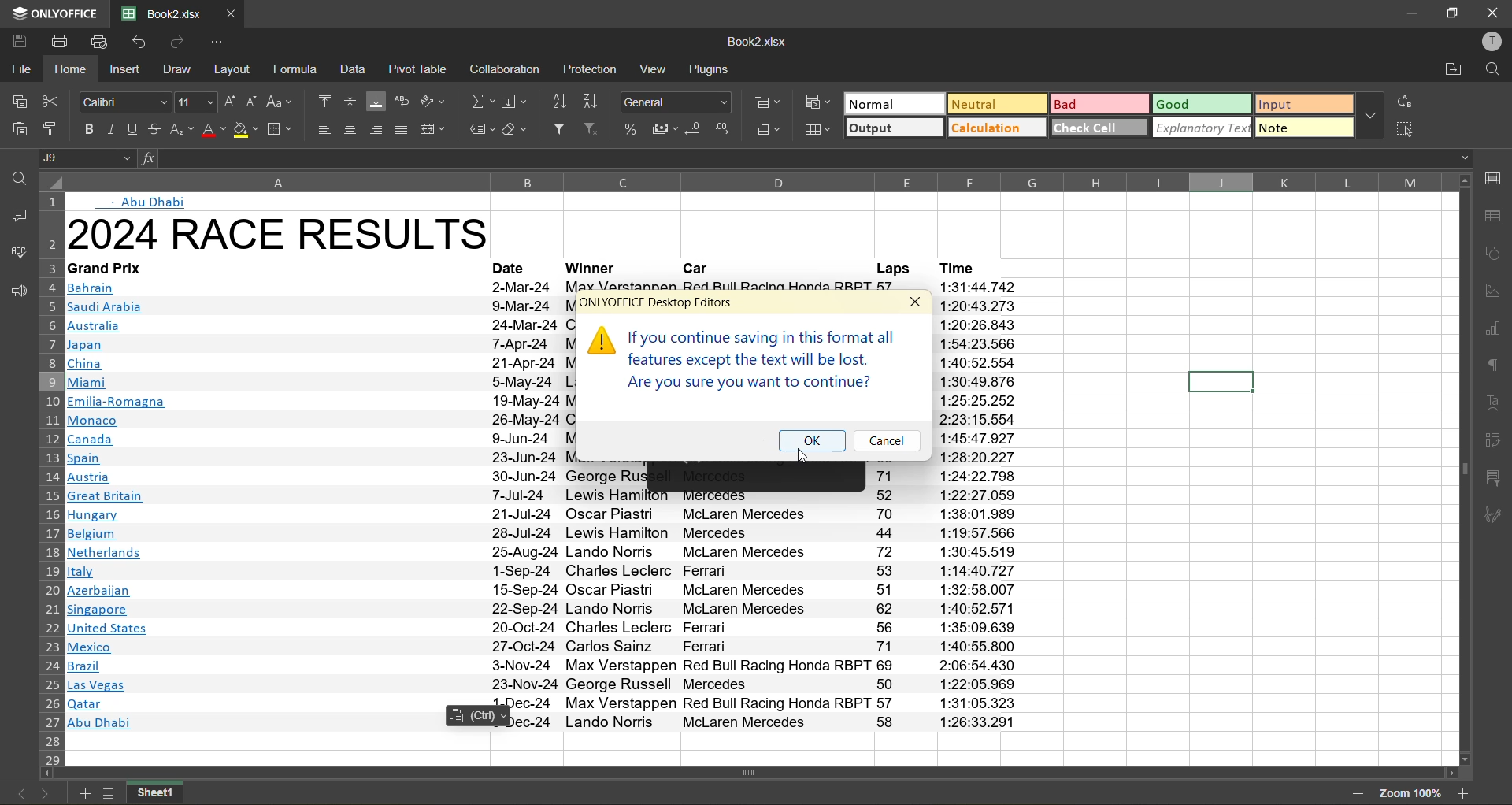 The image size is (1512, 805). Describe the element at coordinates (544, 495) in the screenshot. I see `text info` at that location.